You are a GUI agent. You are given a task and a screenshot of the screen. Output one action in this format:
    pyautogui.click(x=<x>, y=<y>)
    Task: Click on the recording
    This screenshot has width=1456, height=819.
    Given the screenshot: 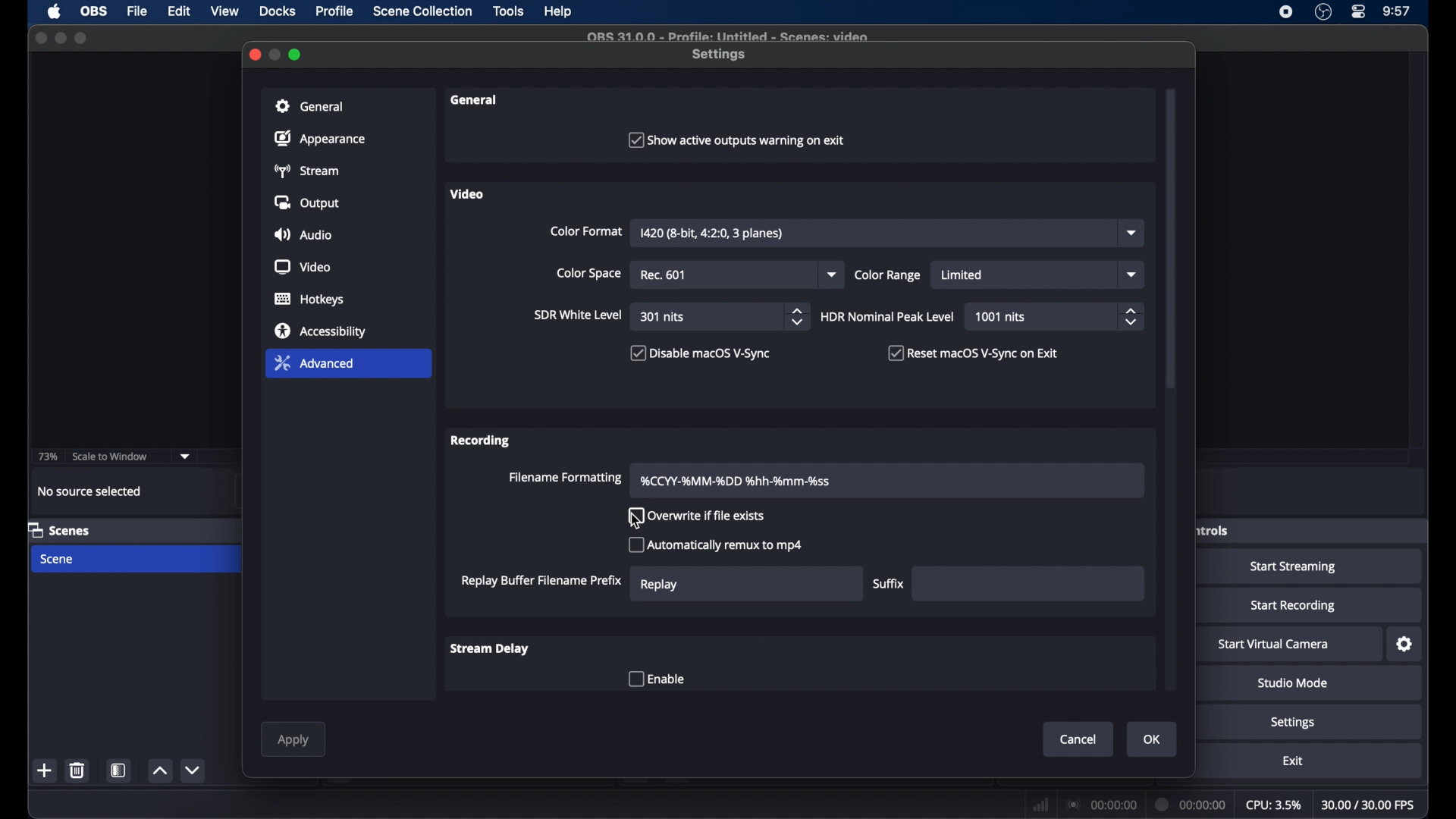 What is the action you would take?
    pyautogui.click(x=482, y=441)
    